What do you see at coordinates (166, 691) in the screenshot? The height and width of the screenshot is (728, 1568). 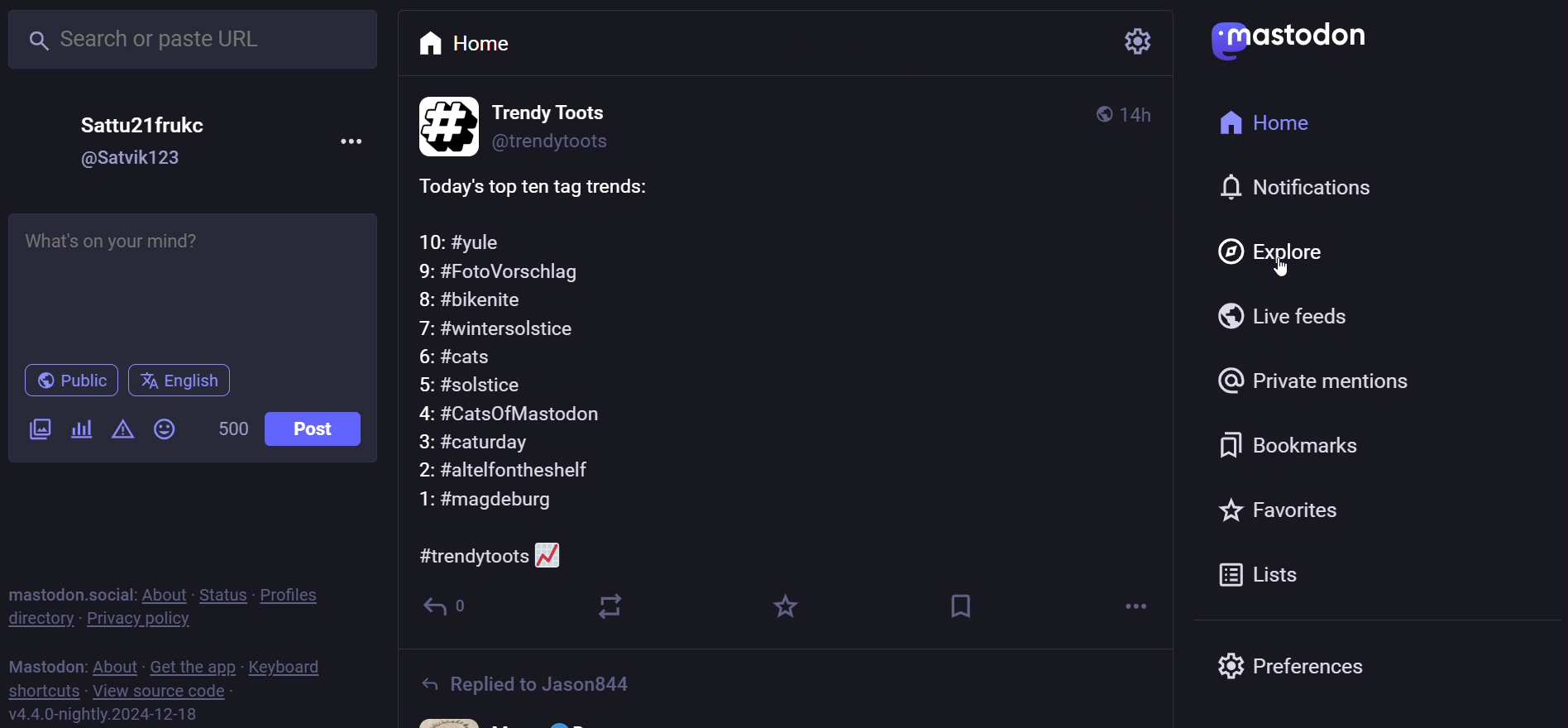 I see `view source code` at bounding box center [166, 691].